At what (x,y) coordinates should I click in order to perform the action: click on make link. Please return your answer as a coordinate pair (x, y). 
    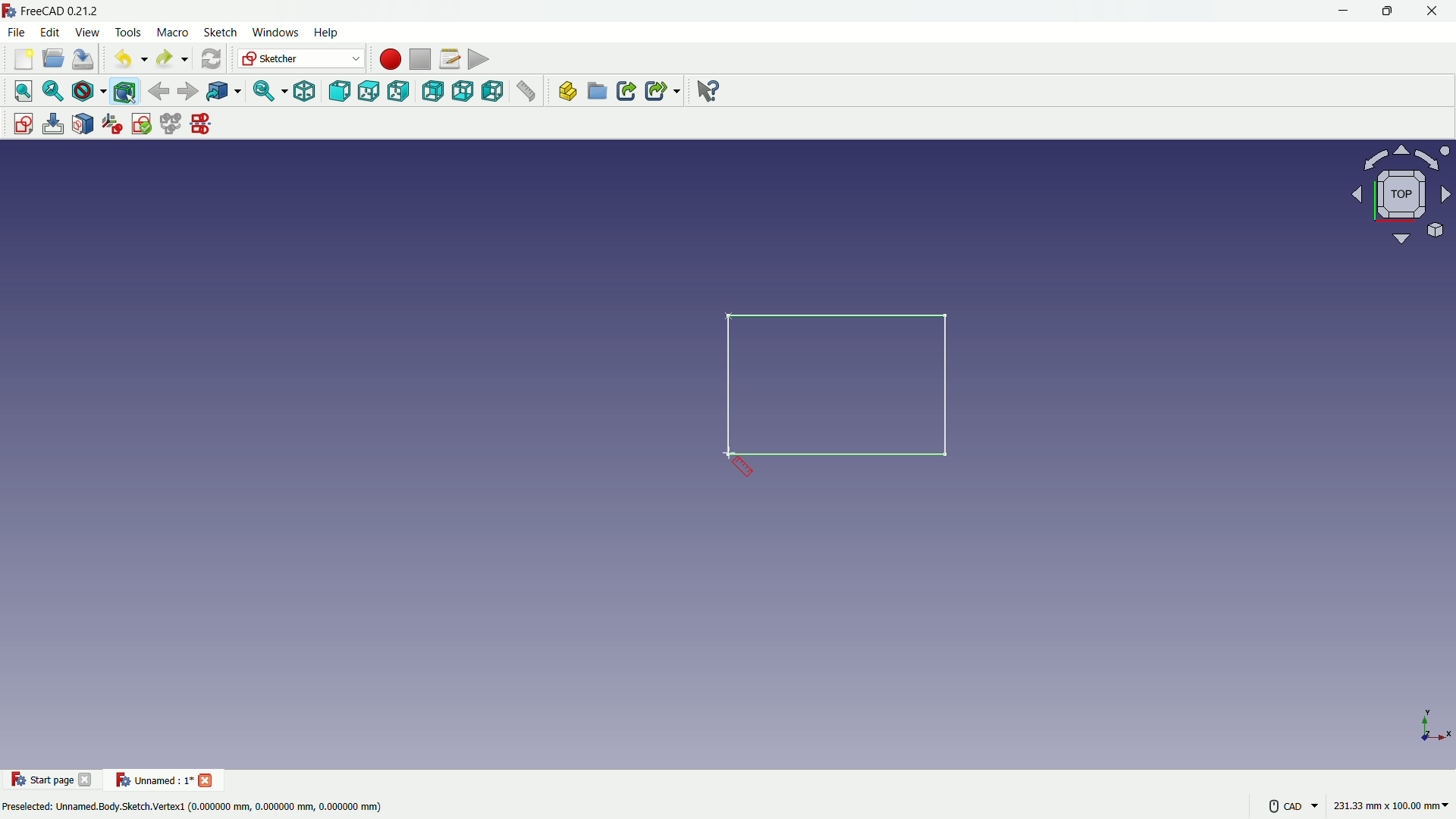
    Looking at the image, I should click on (626, 93).